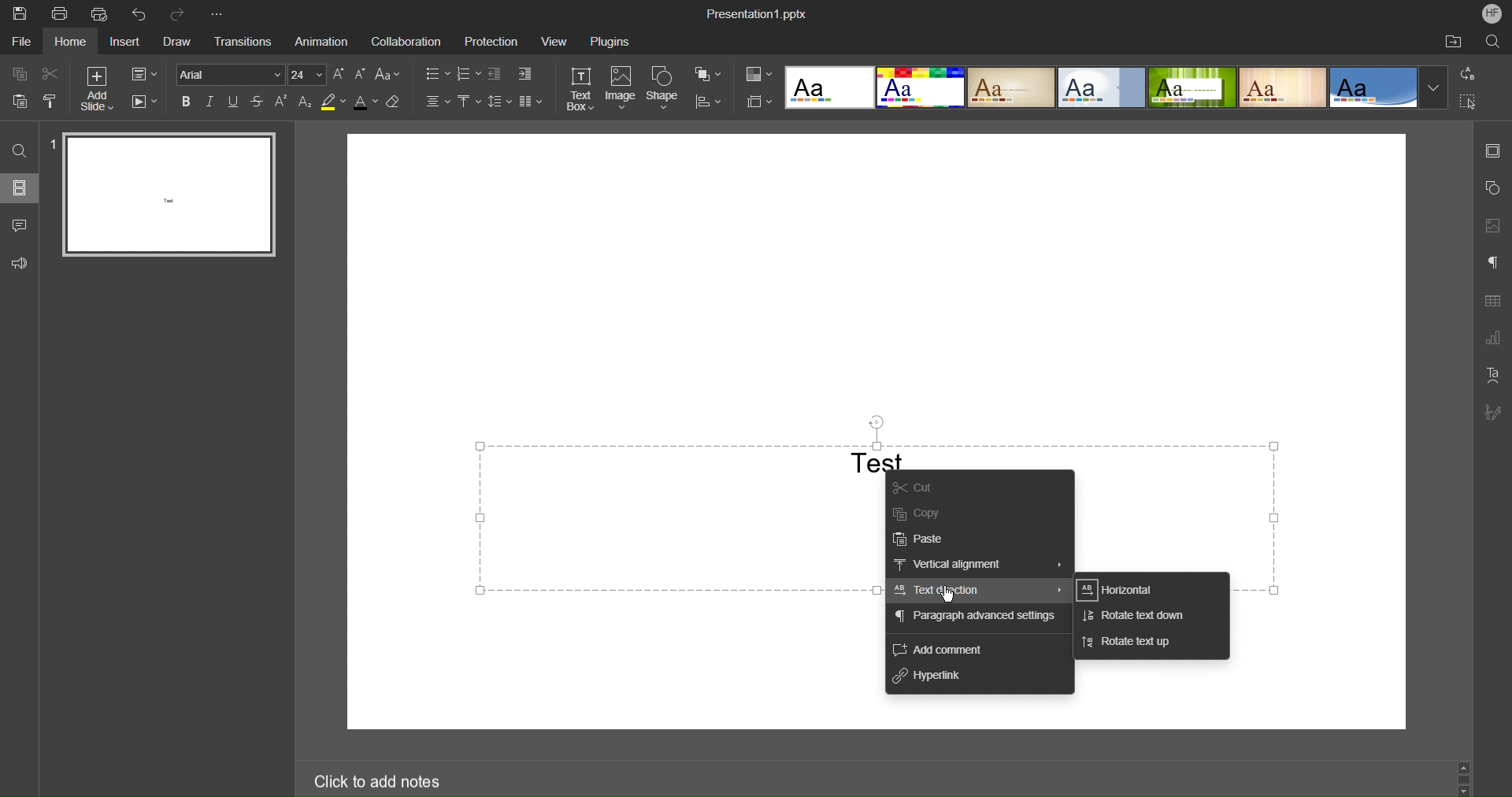  I want to click on Print, so click(61, 13).